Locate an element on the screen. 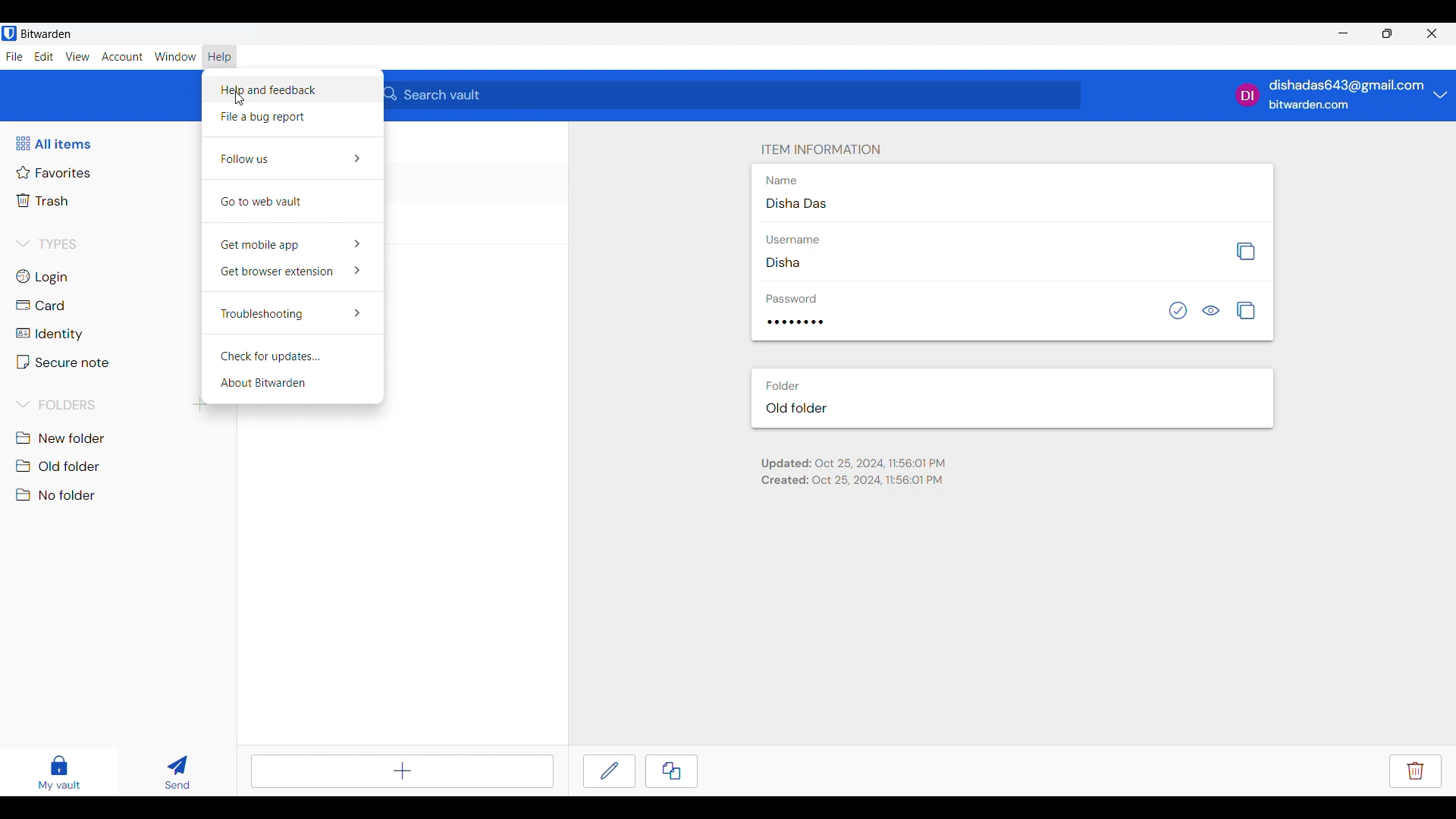  dishadas643@gmail.com is located at coordinates (1348, 86).